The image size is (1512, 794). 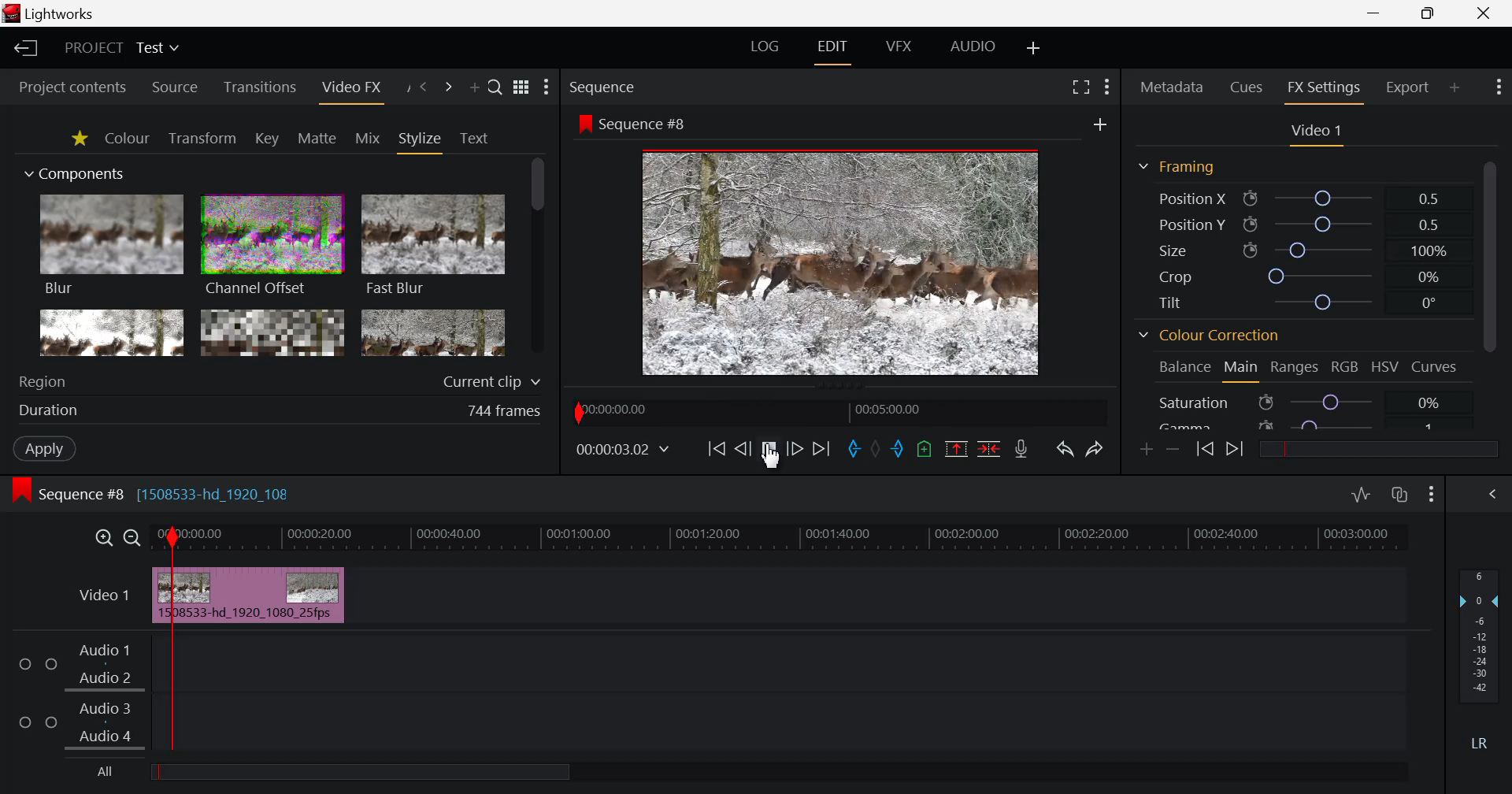 I want to click on Curves, so click(x=1436, y=366).